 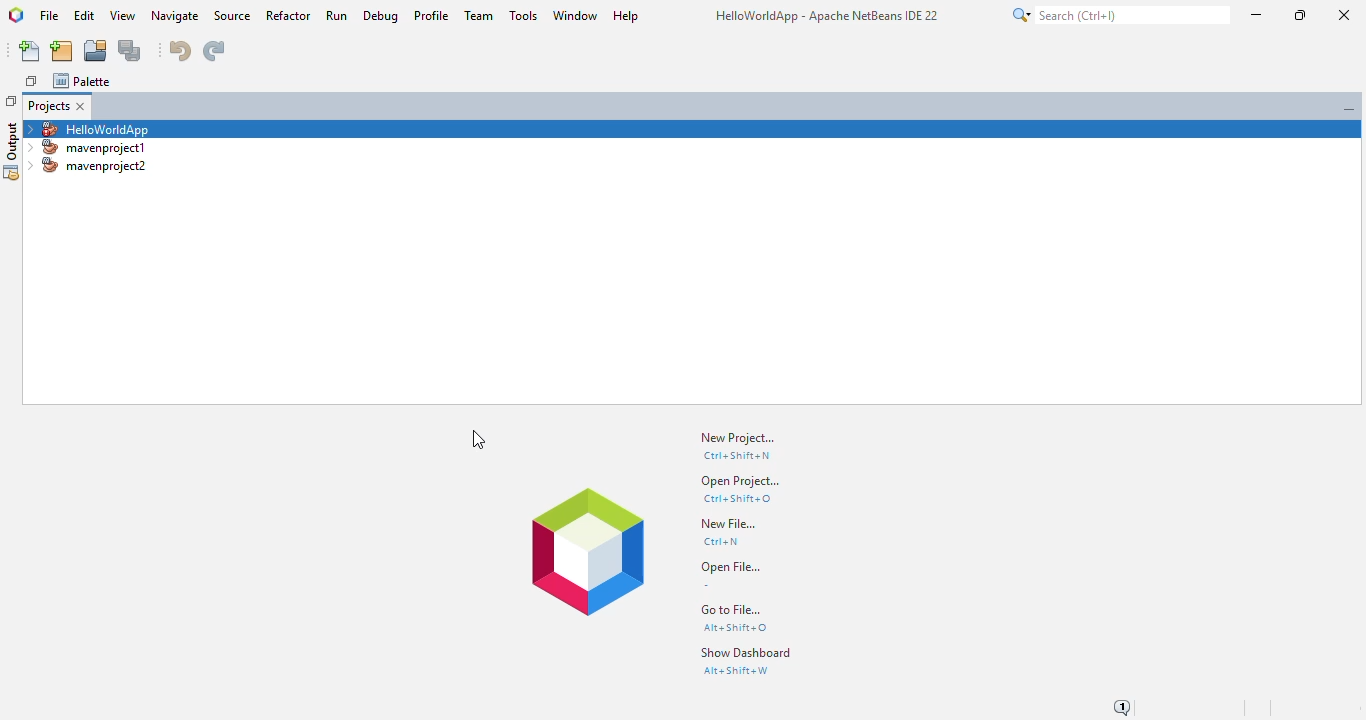 I want to click on open project, so click(x=96, y=50).